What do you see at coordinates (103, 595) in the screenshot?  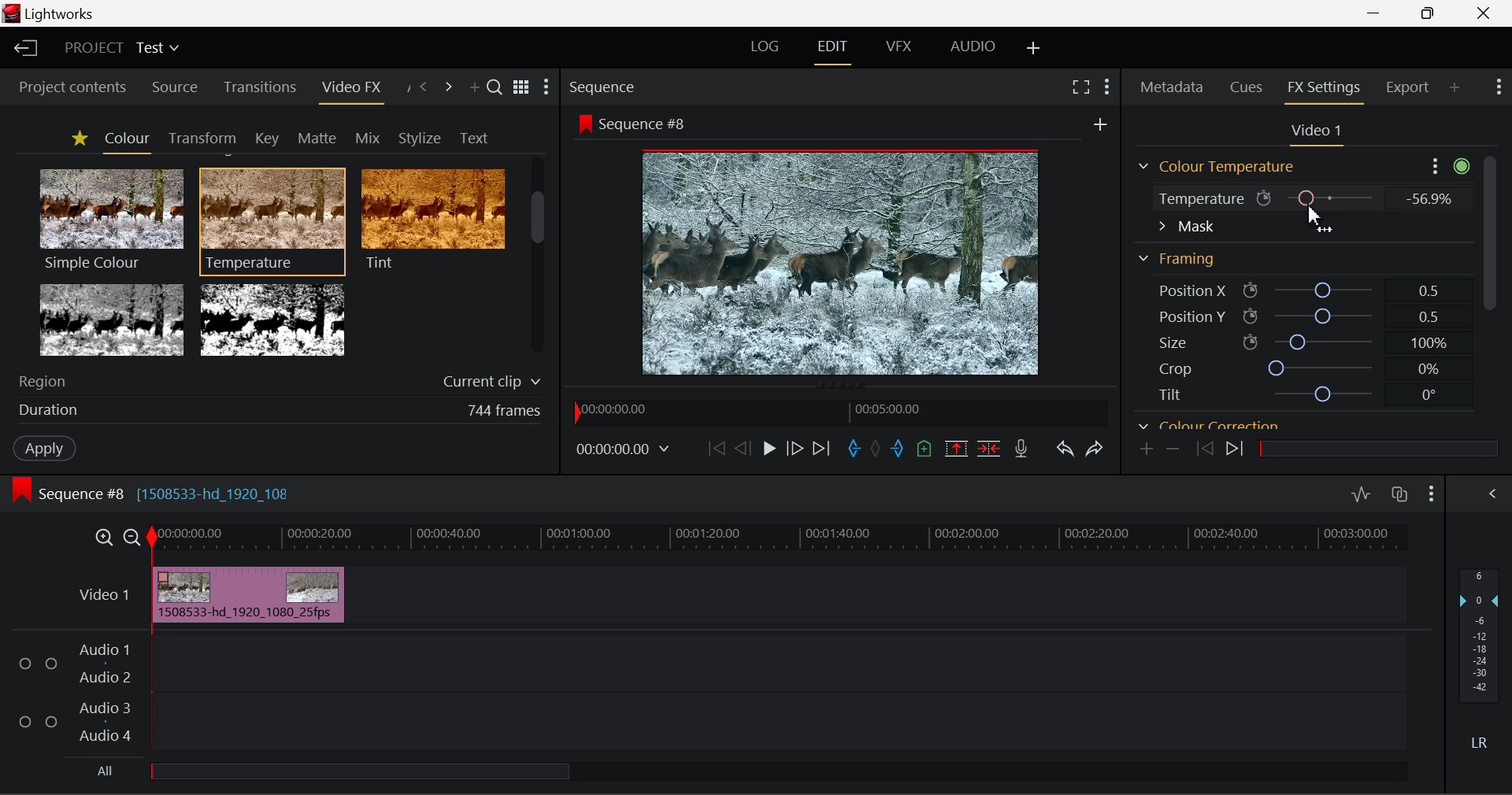 I see `Video 1` at bounding box center [103, 595].